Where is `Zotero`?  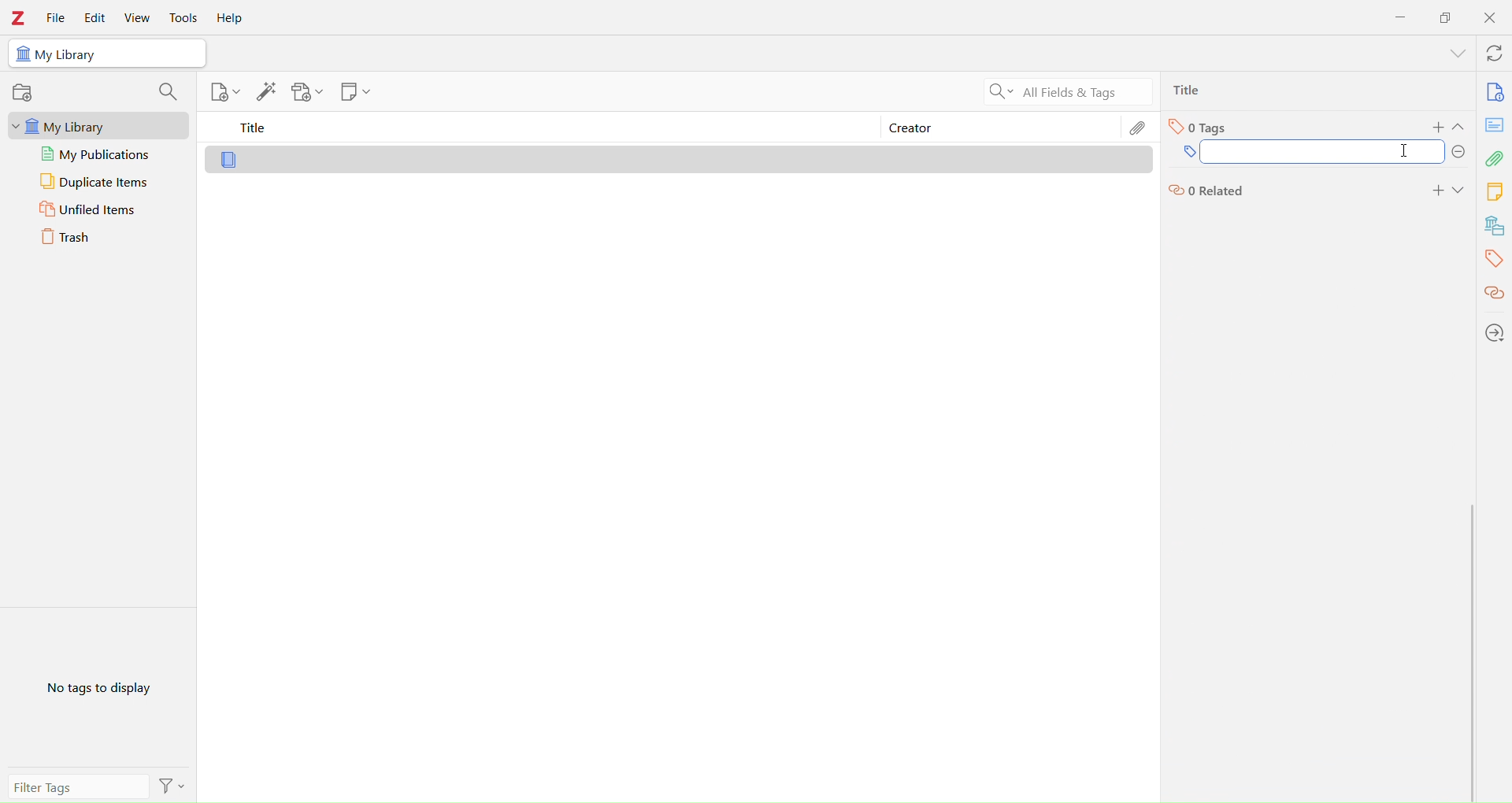
Zotero is located at coordinates (19, 18).